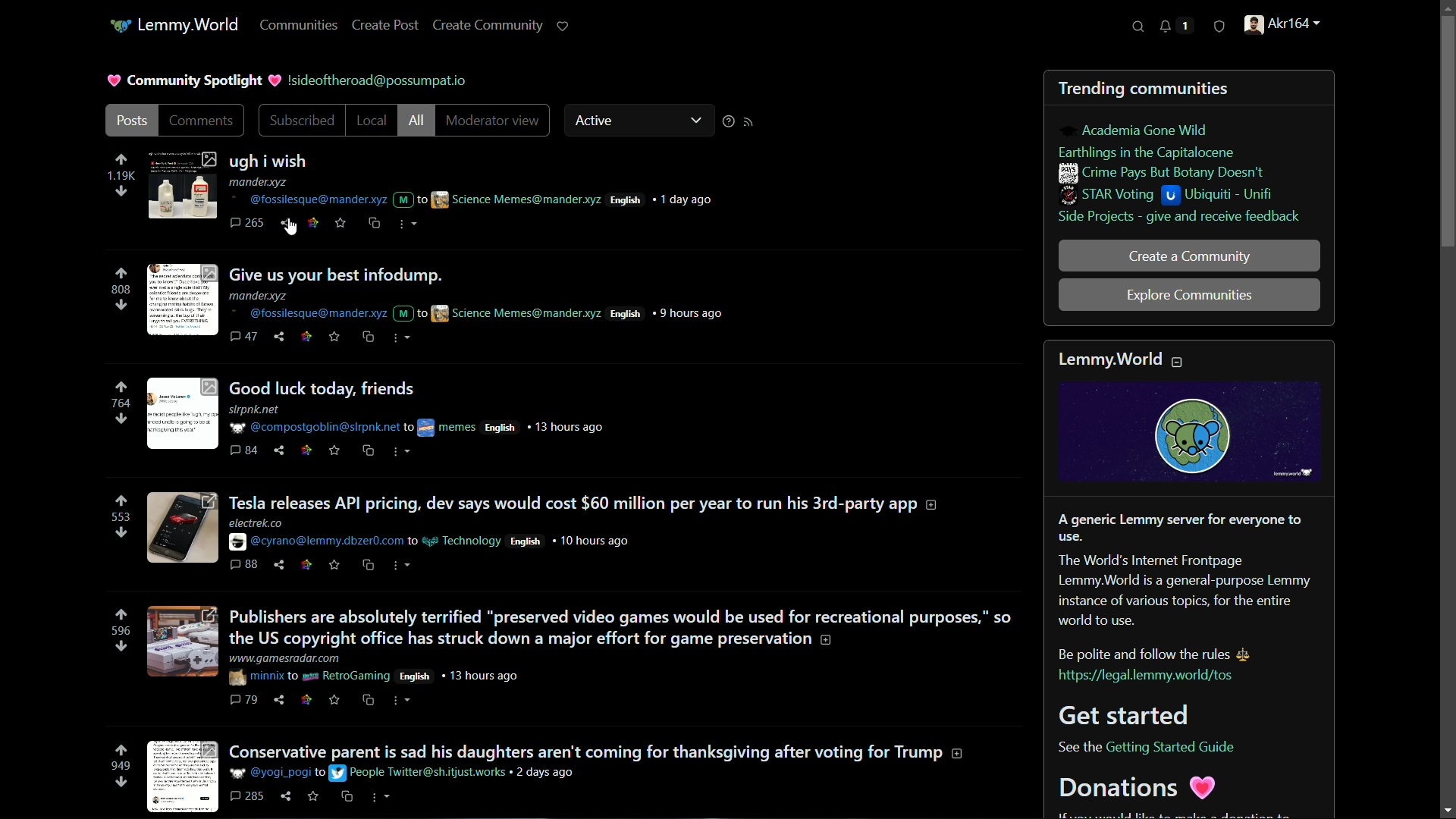 This screenshot has width=1456, height=819. Describe the element at coordinates (827, 641) in the screenshot. I see `more information` at that location.